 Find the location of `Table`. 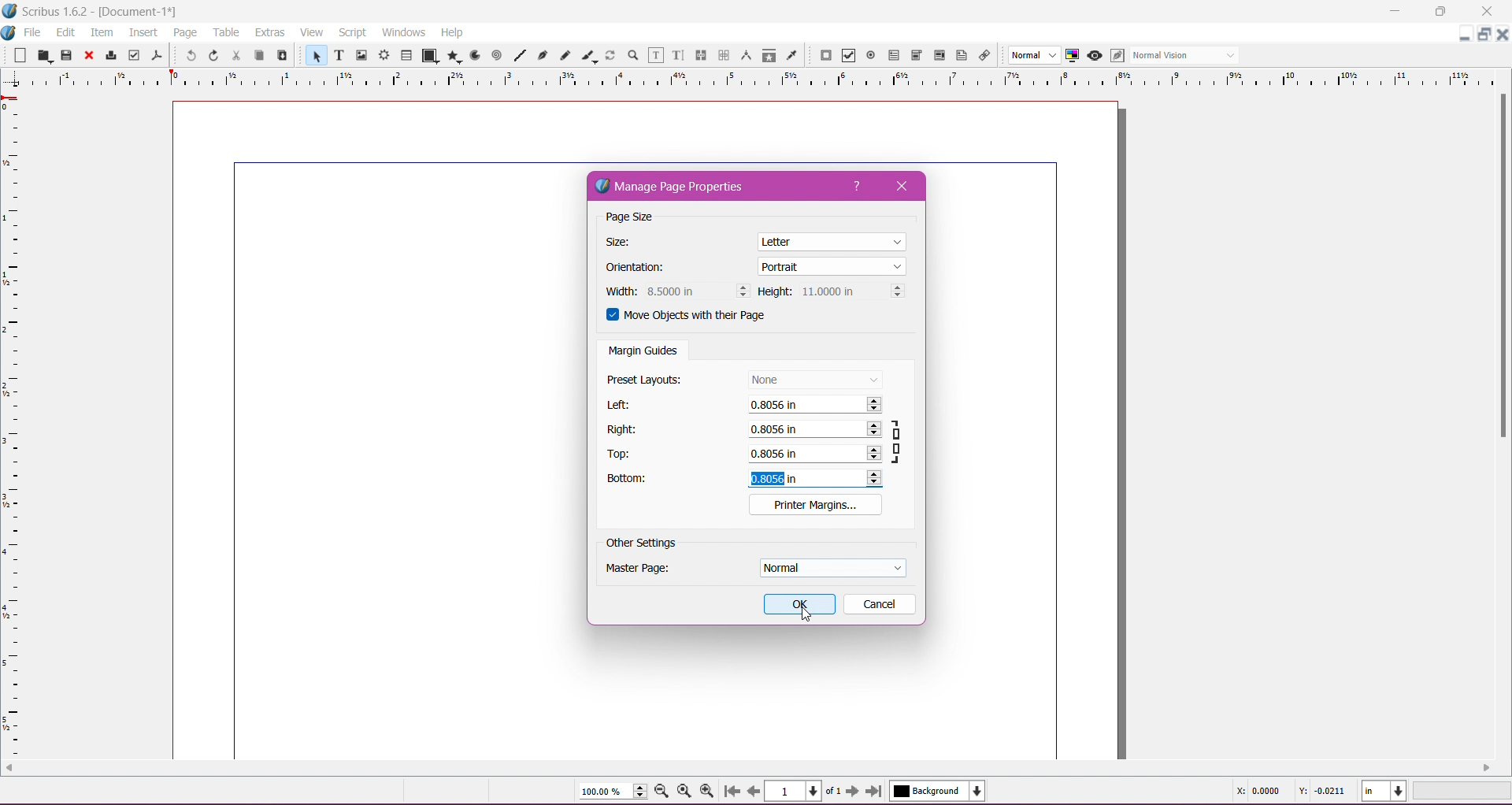

Table is located at coordinates (225, 32).